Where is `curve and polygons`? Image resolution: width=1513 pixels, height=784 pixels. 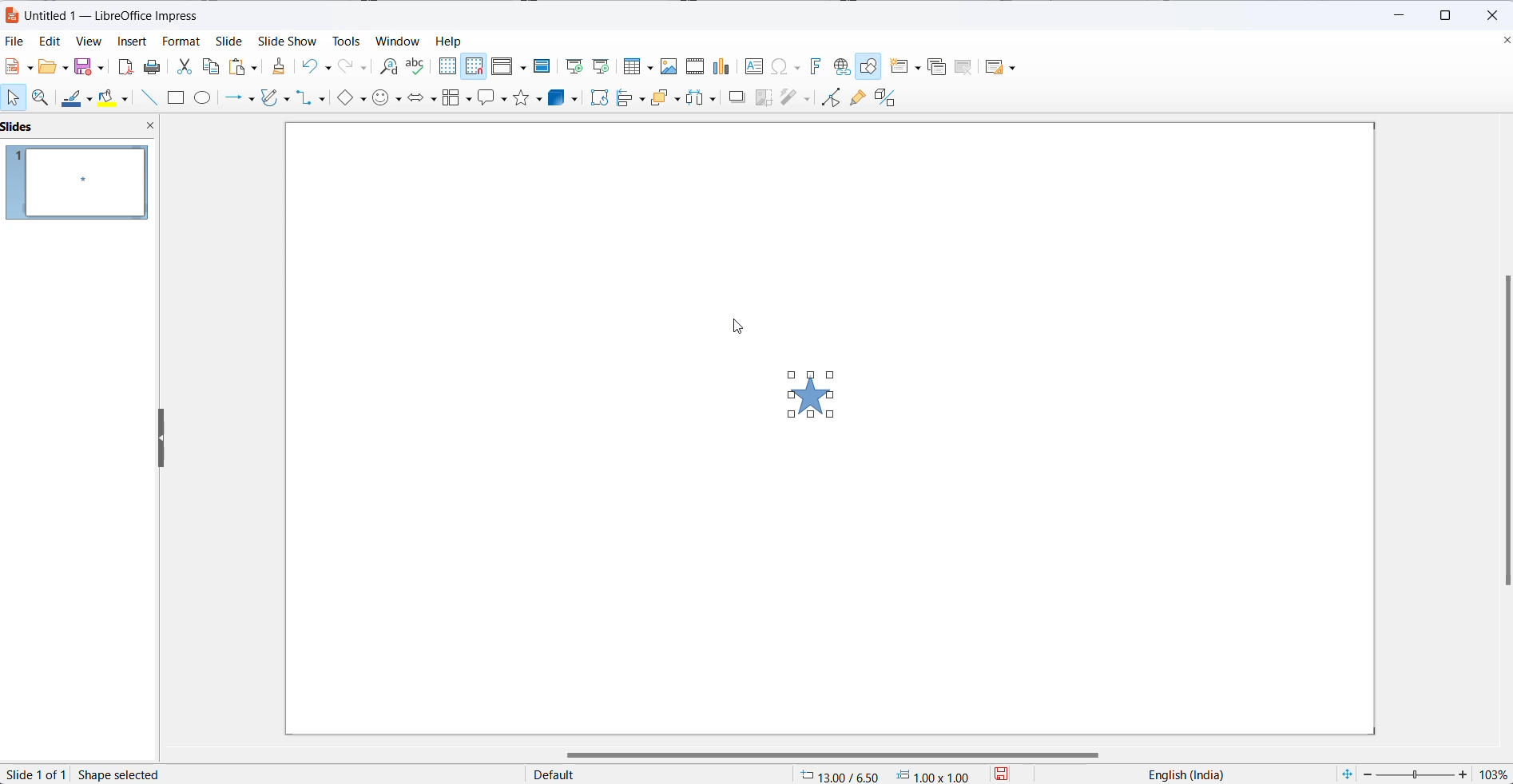 curve and polygons is located at coordinates (276, 100).